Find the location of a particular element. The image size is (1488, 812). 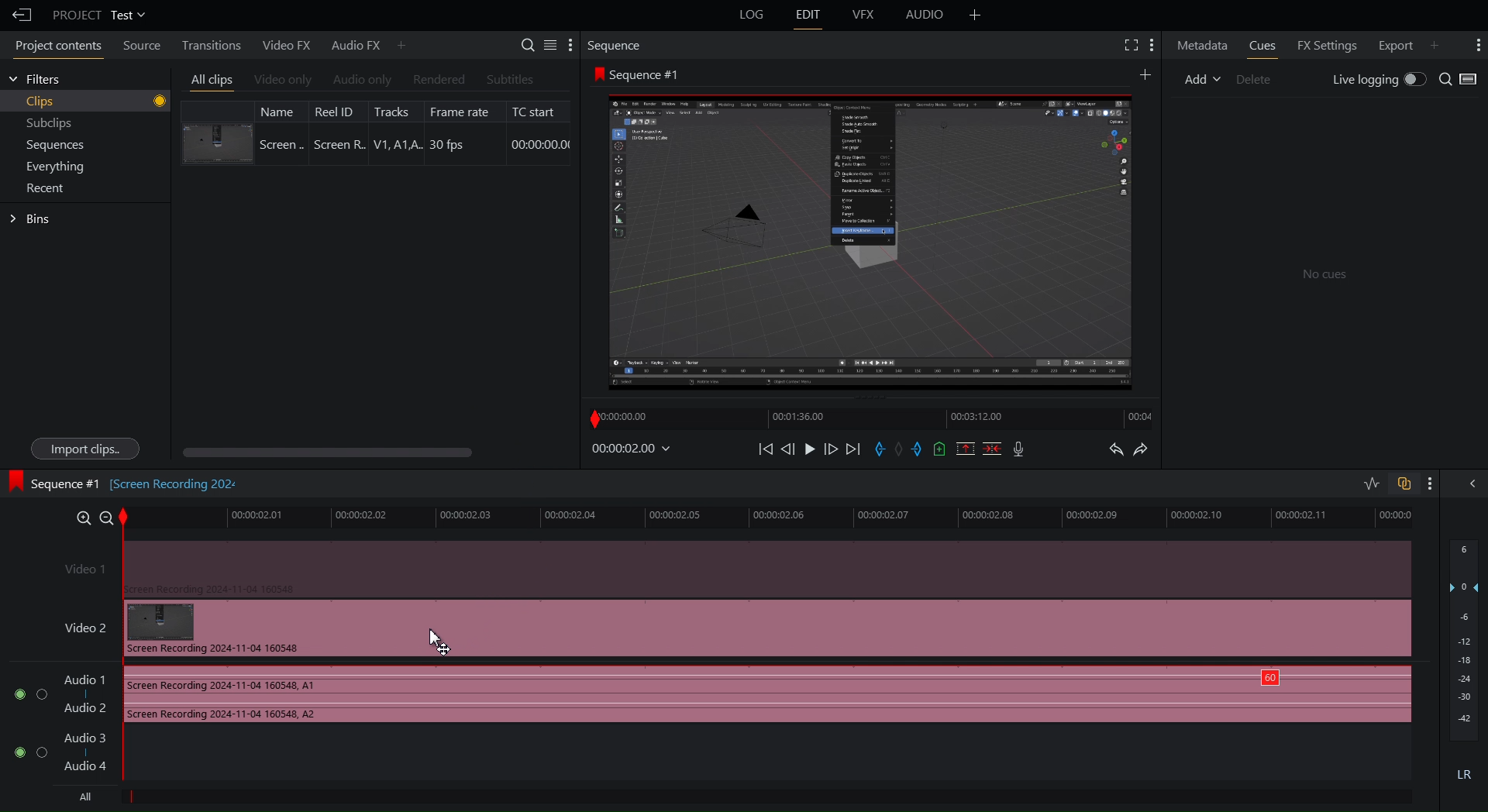

Transitions is located at coordinates (207, 44).